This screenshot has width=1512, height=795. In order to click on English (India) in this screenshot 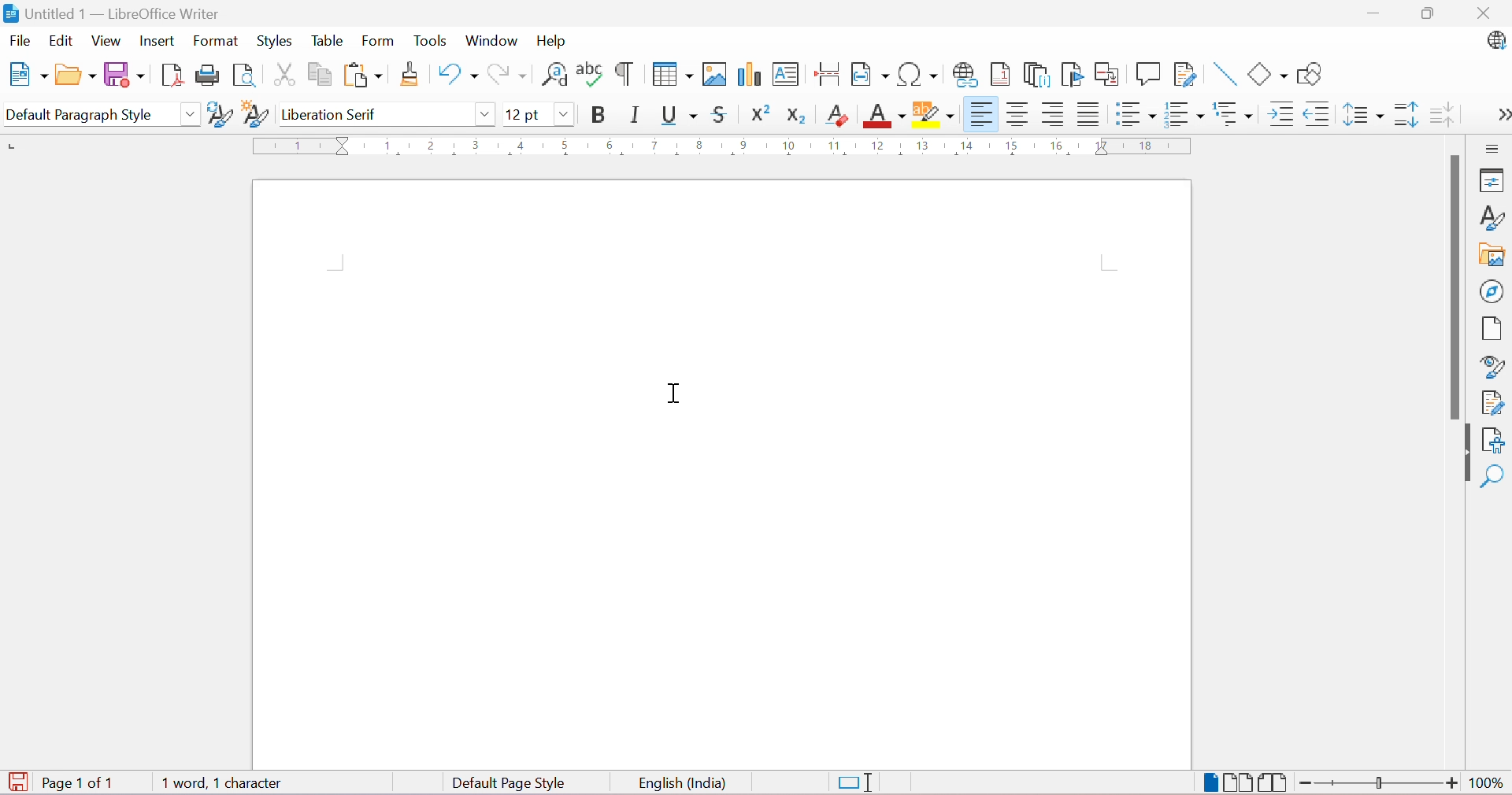, I will do `click(683, 784)`.